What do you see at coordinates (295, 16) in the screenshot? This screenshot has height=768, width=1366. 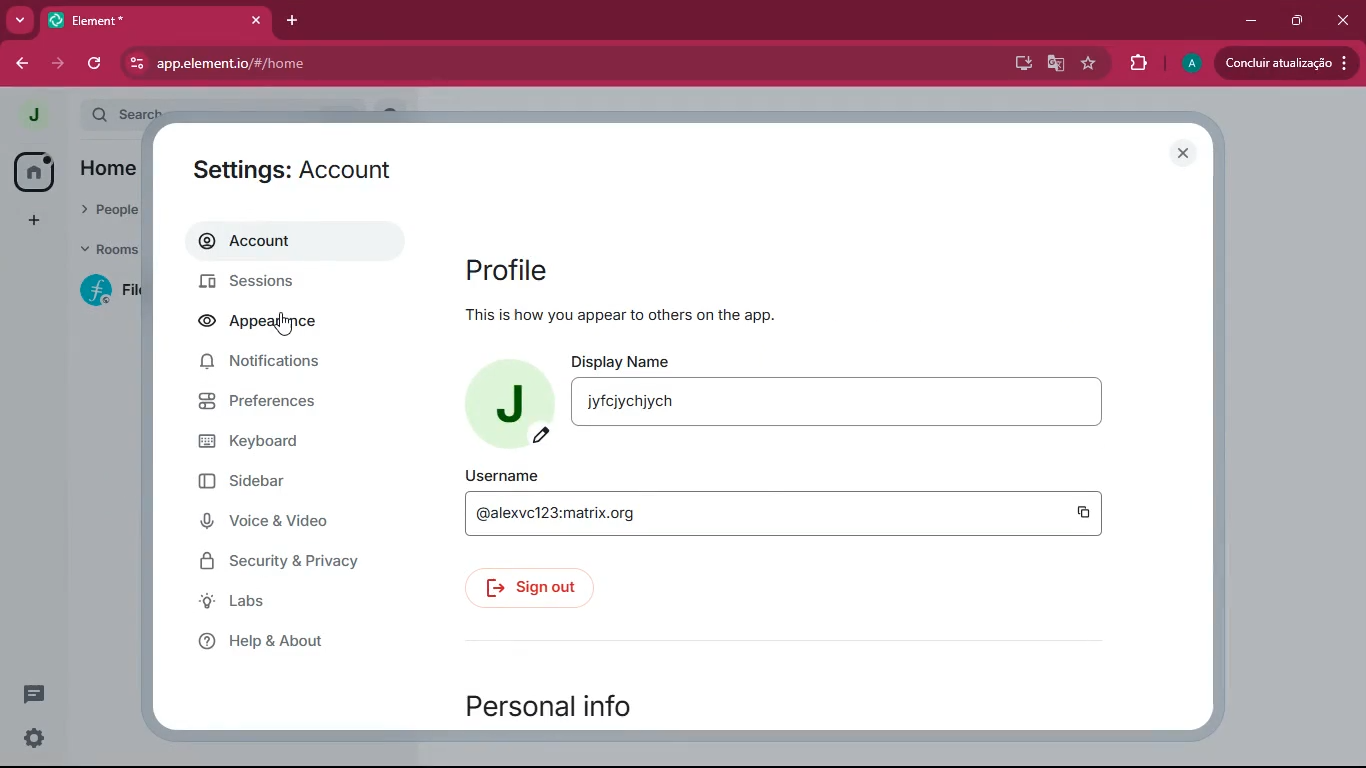 I see `add tab` at bounding box center [295, 16].